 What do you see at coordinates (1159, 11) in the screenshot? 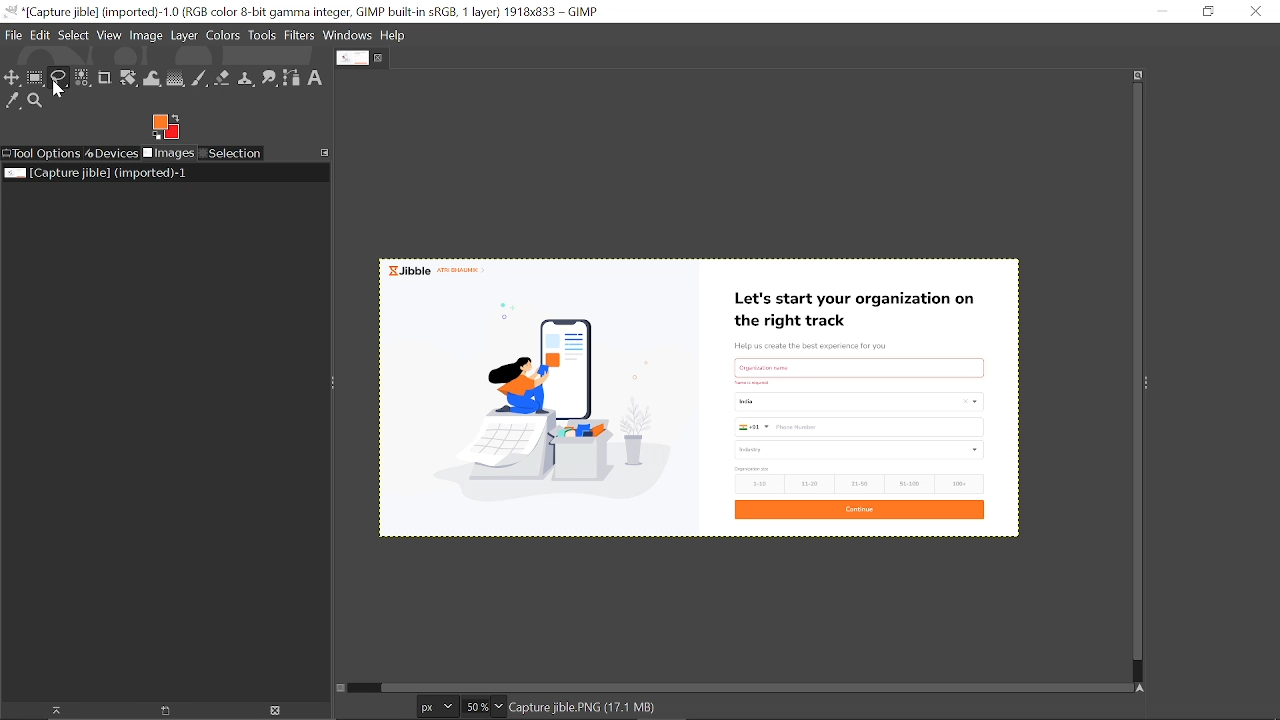
I see `Minimize` at bounding box center [1159, 11].